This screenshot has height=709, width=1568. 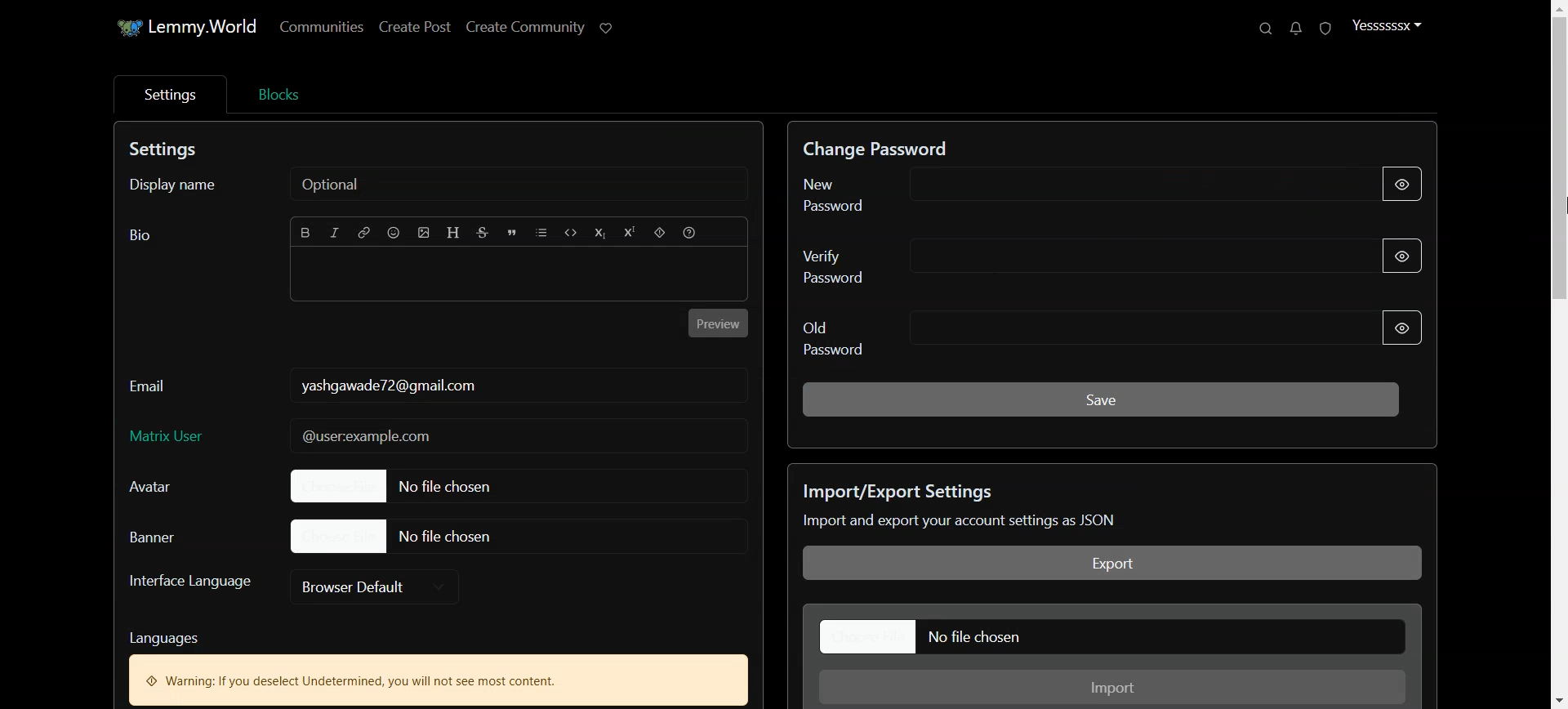 I want to click on Interface Language, so click(x=186, y=581).